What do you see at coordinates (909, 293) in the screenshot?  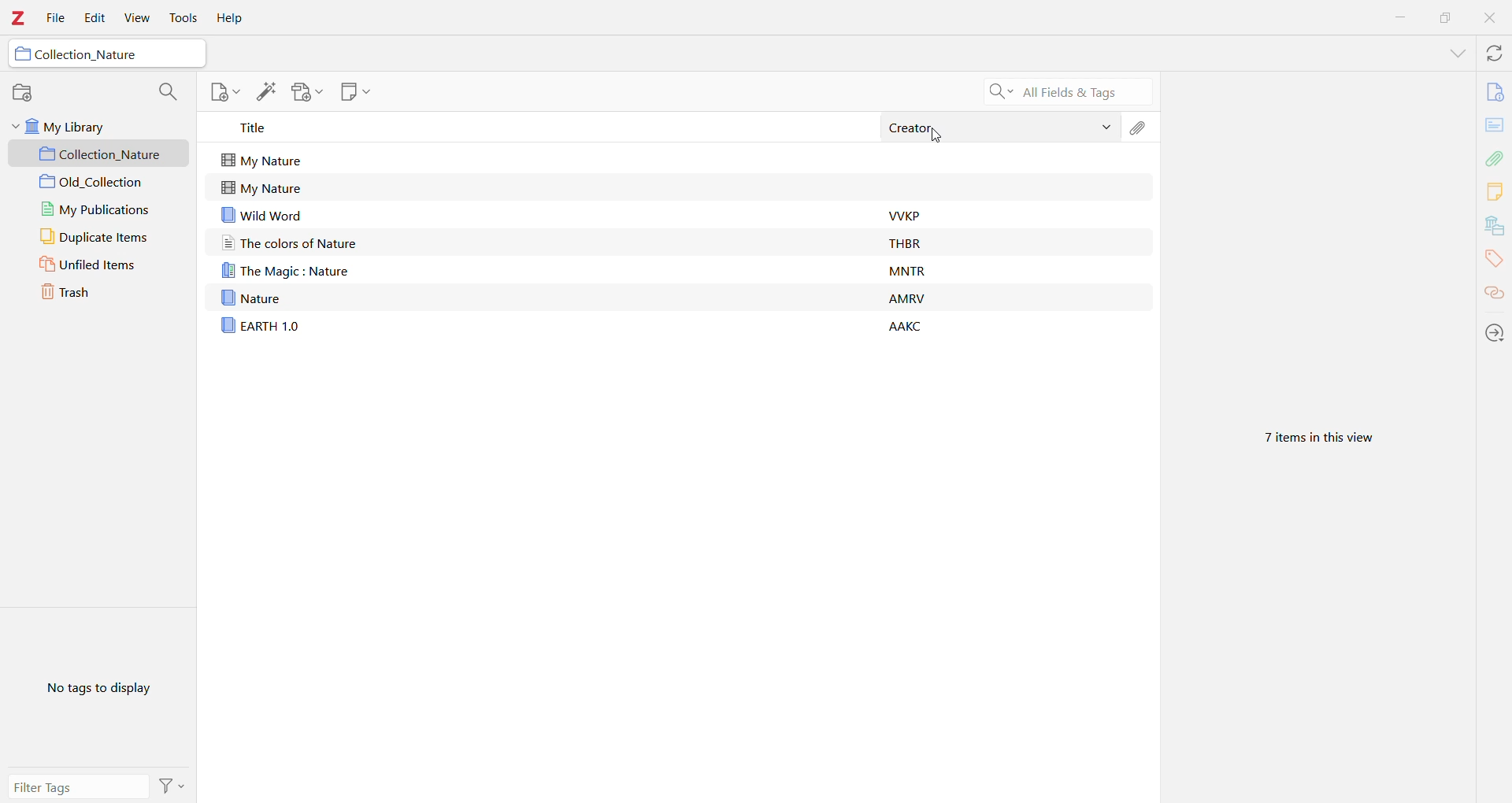 I see `Creator information` at bounding box center [909, 293].